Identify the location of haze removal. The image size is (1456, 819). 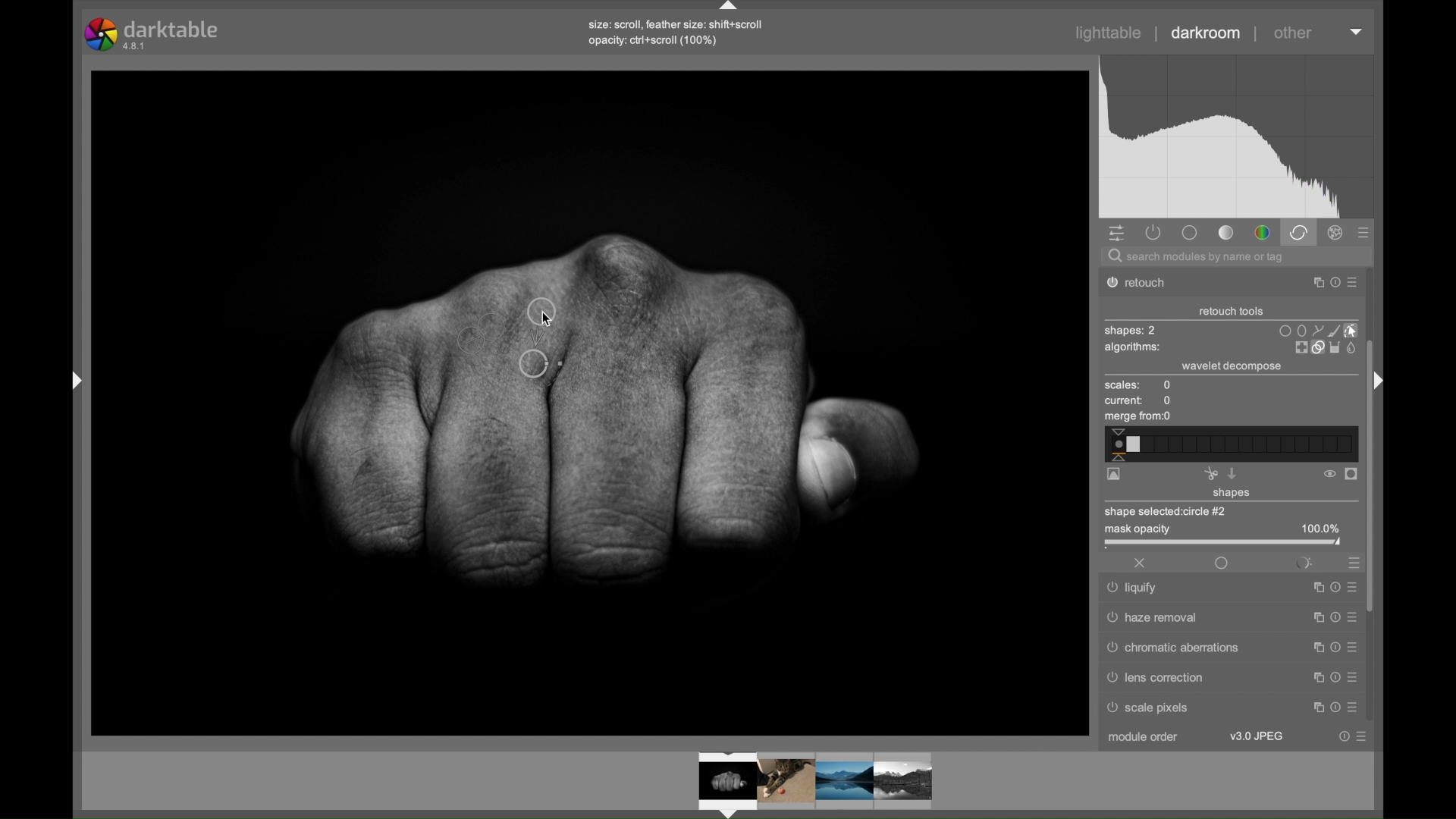
(1153, 617).